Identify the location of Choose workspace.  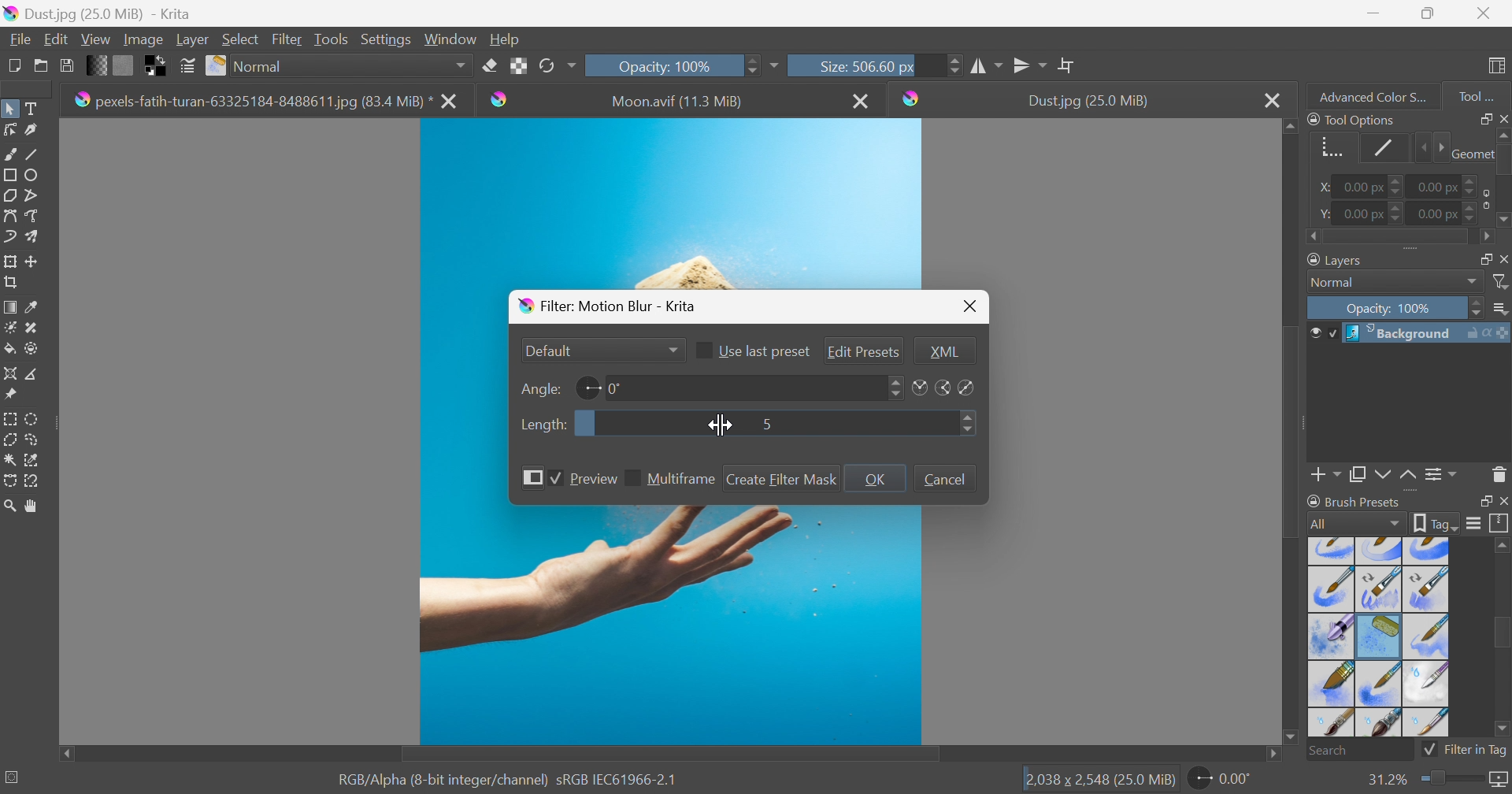
(1499, 66).